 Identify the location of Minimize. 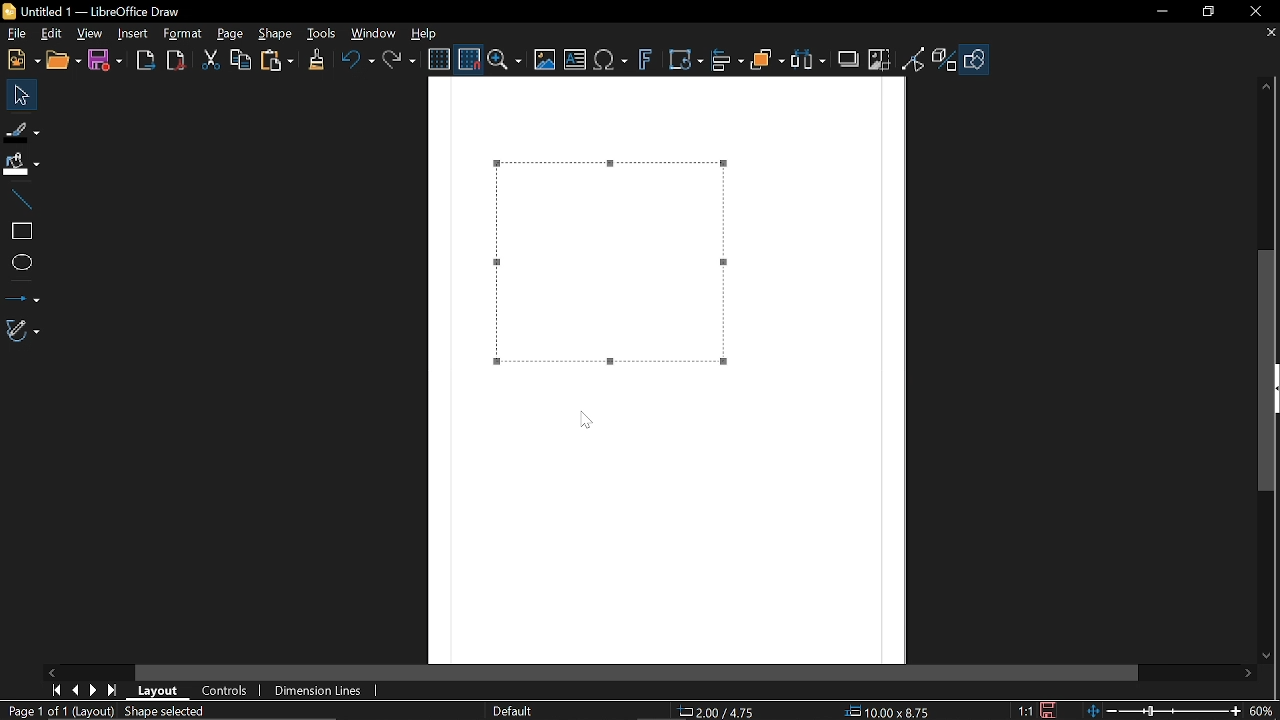
(1164, 12).